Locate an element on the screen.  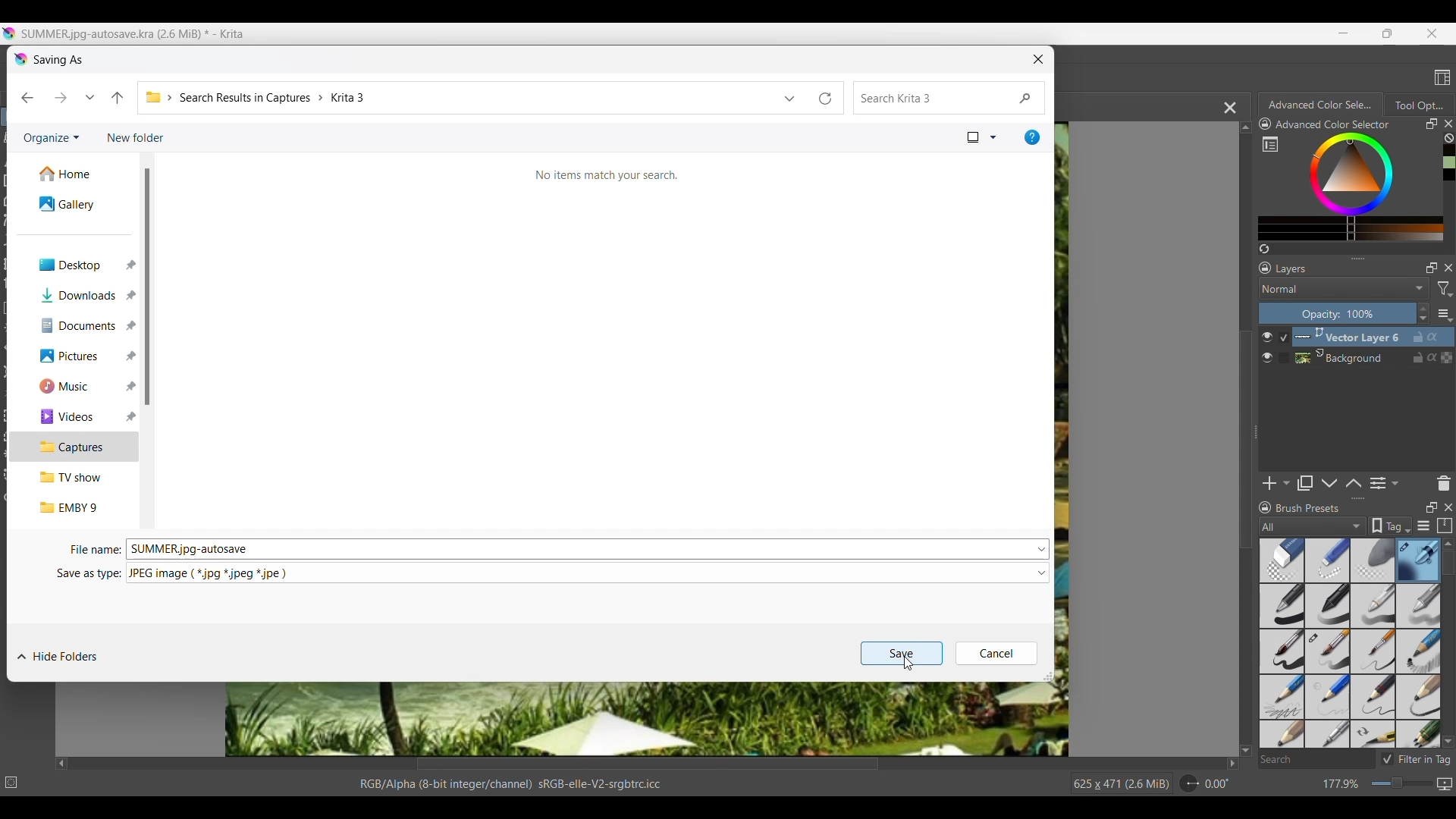
Go to previous folder in folder pathway is located at coordinates (117, 98).